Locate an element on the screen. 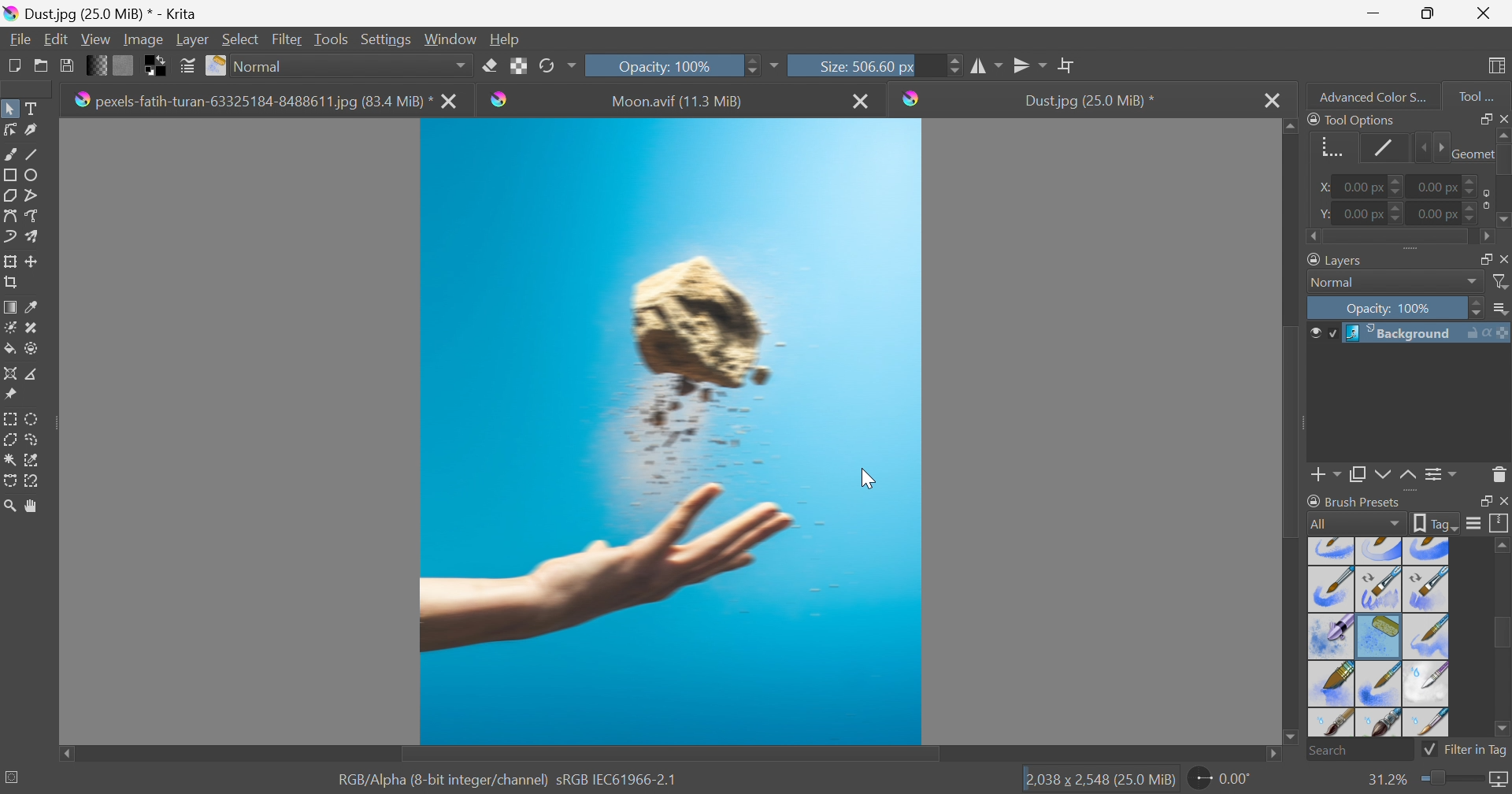 The height and width of the screenshot is (794, 1512). Choose workspace is located at coordinates (1499, 66).